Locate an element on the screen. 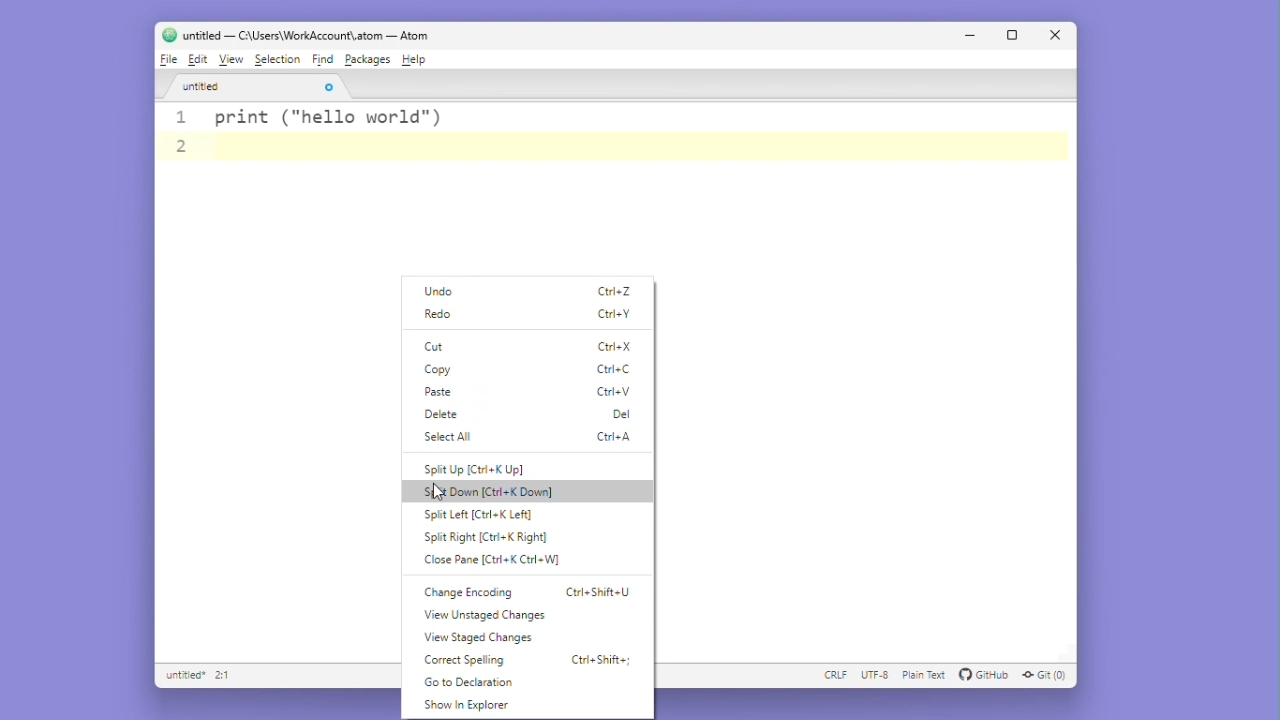 This screenshot has height=720, width=1280. editor space is located at coordinates (283, 445).